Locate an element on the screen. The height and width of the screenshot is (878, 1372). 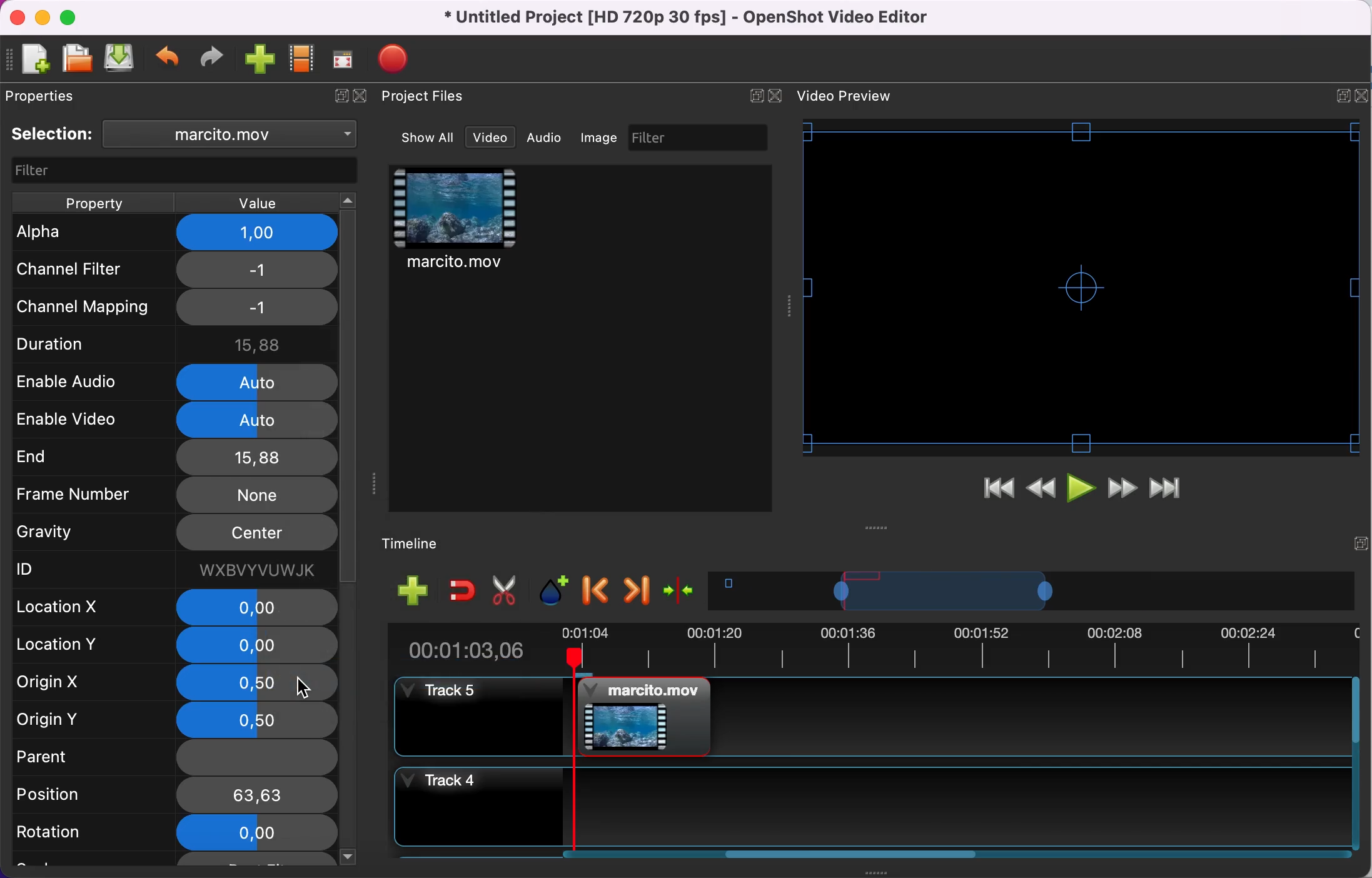
show all is located at coordinates (429, 138).